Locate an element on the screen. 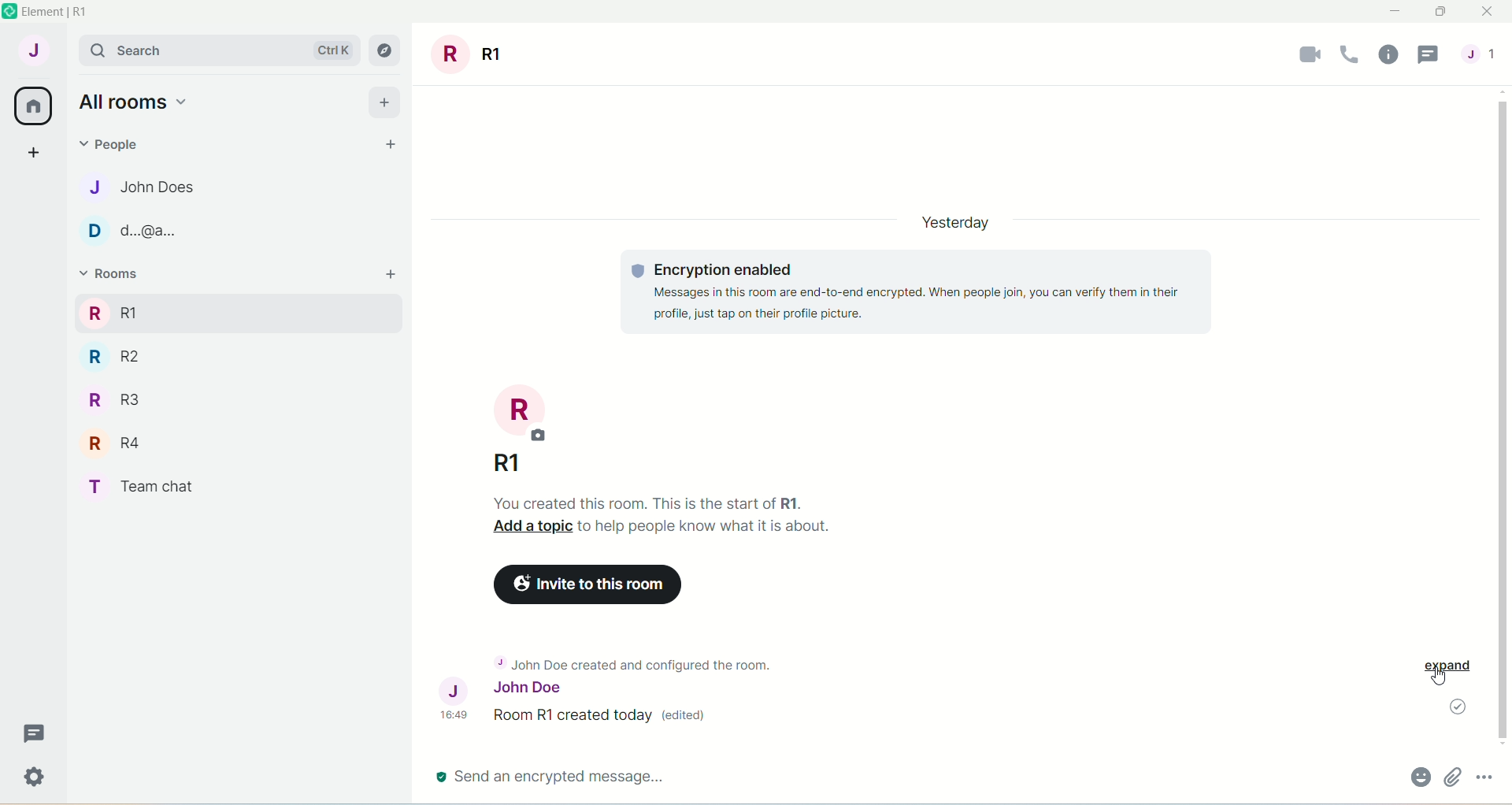 This screenshot has width=1512, height=805. R4 is located at coordinates (122, 443).